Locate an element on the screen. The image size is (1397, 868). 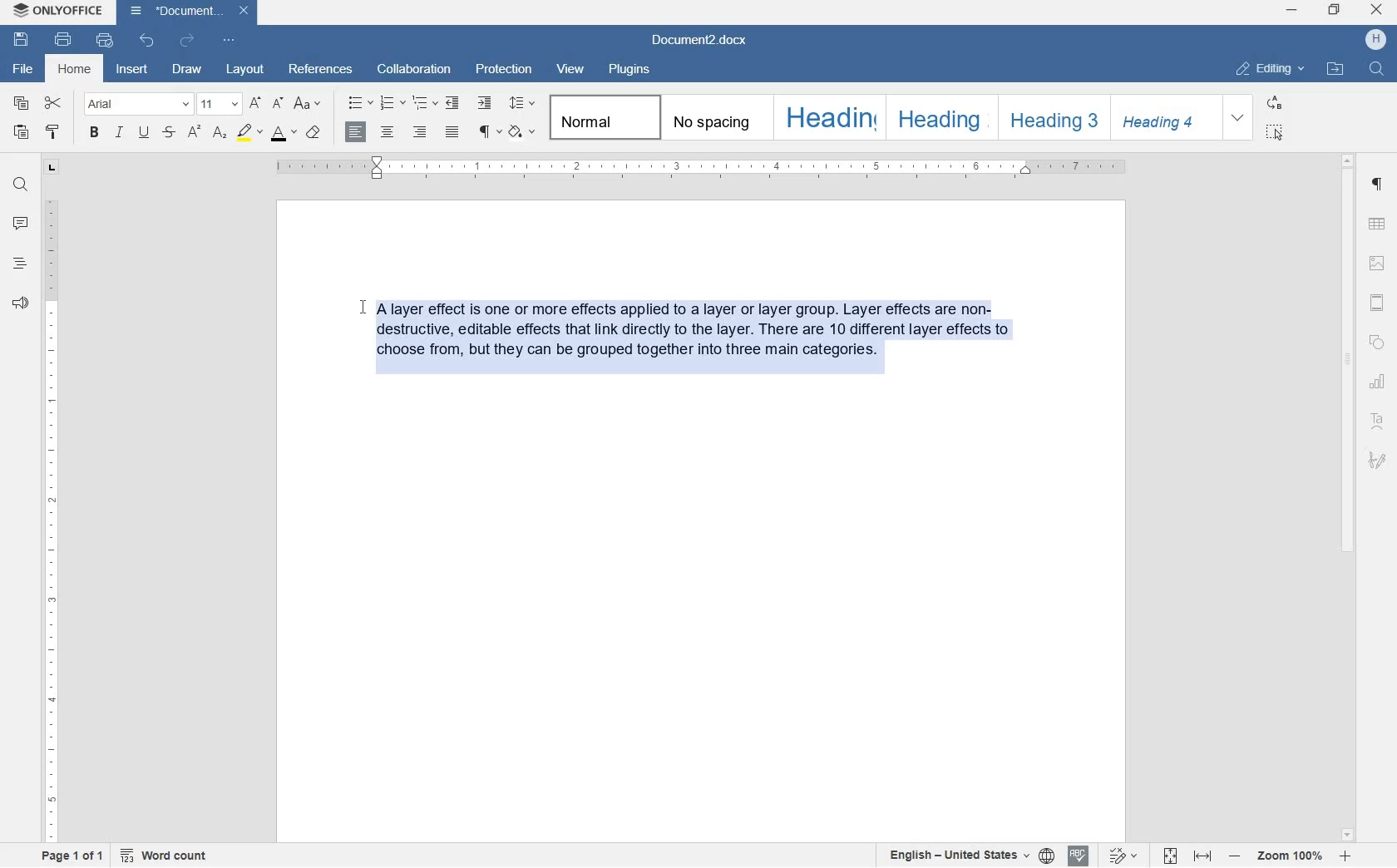
shading  is located at coordinates (521, 132).